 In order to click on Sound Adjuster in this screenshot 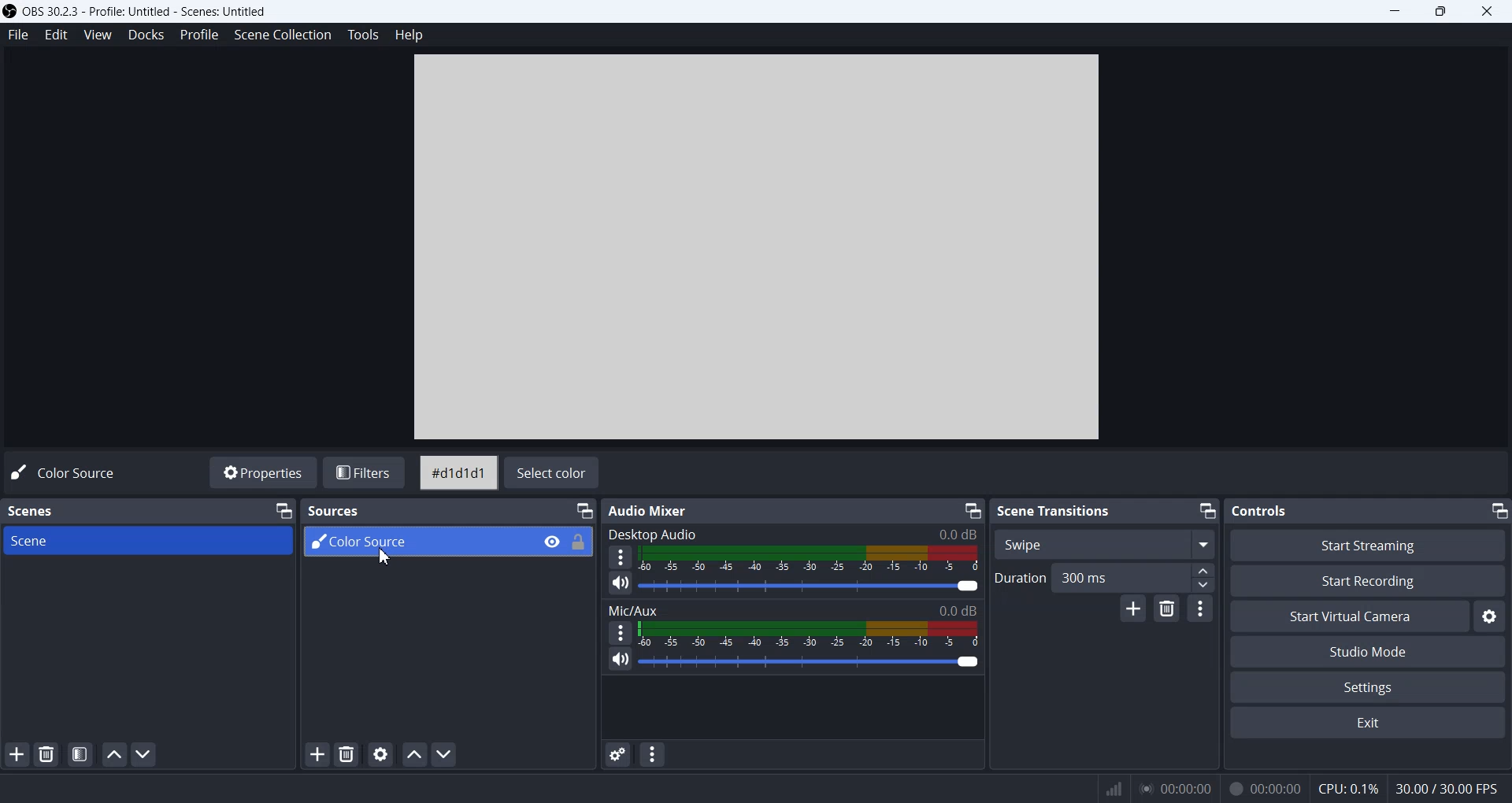, I will do `click(811, 586)`.